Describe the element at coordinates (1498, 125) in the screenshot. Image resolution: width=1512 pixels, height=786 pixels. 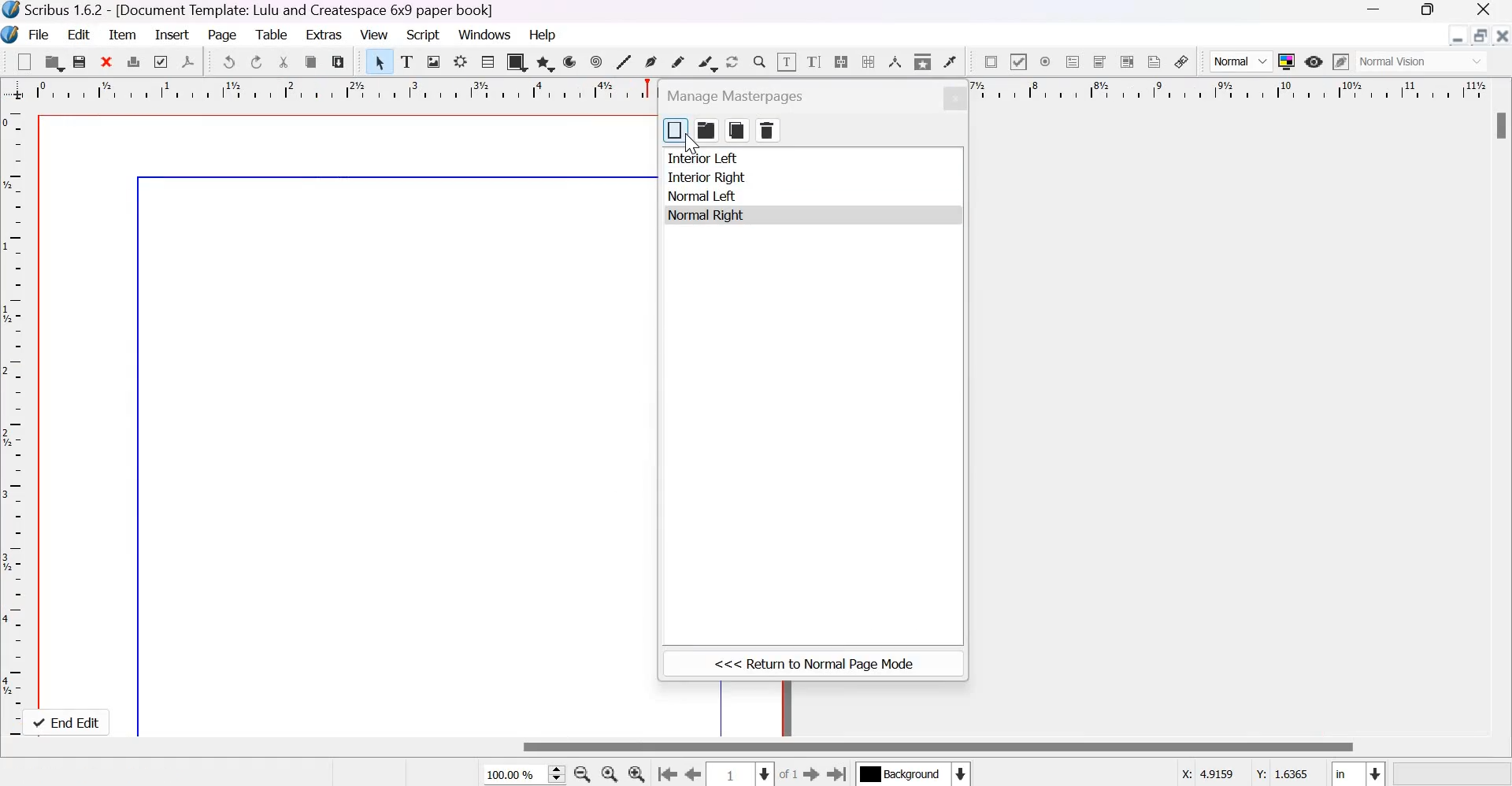
I see `scroll bar` at that location.